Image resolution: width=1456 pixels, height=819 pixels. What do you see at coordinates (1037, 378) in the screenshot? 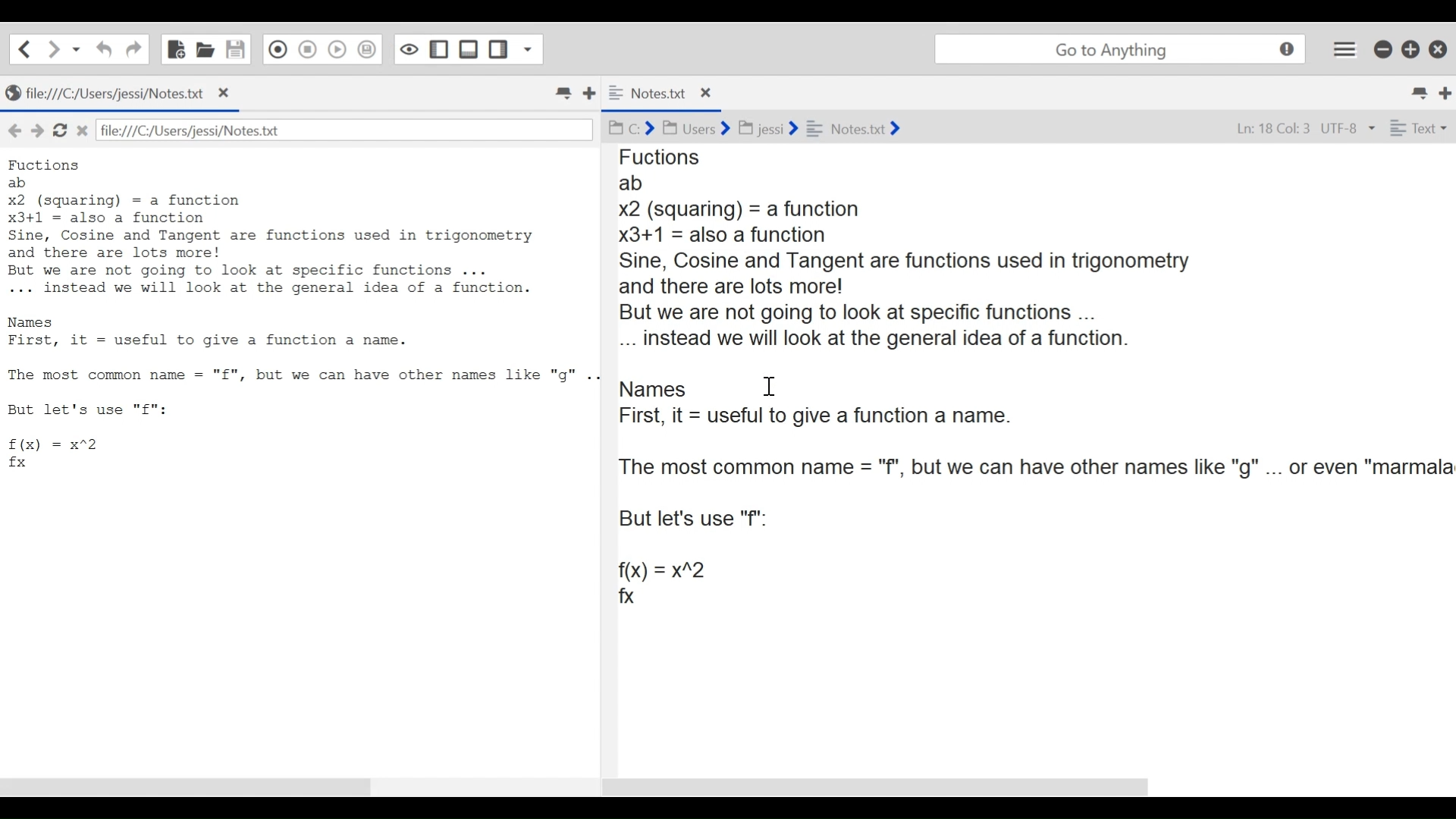
I see `FuctionsabX2 (squaring) = a functionx3+1 = also a functionSine, Cosine and Tangent are functions used in trigonometryand there are lots more!But we are not going to look at specific functions ...... instead we will look at the general idea of a function.© Names IFirst, it = useful to give a function a name.The most common name = "f", but we can have other names like "g" ... or even "marmala But let's use "f":f(x) = x^2fx` at bounding box center [1037, 378].